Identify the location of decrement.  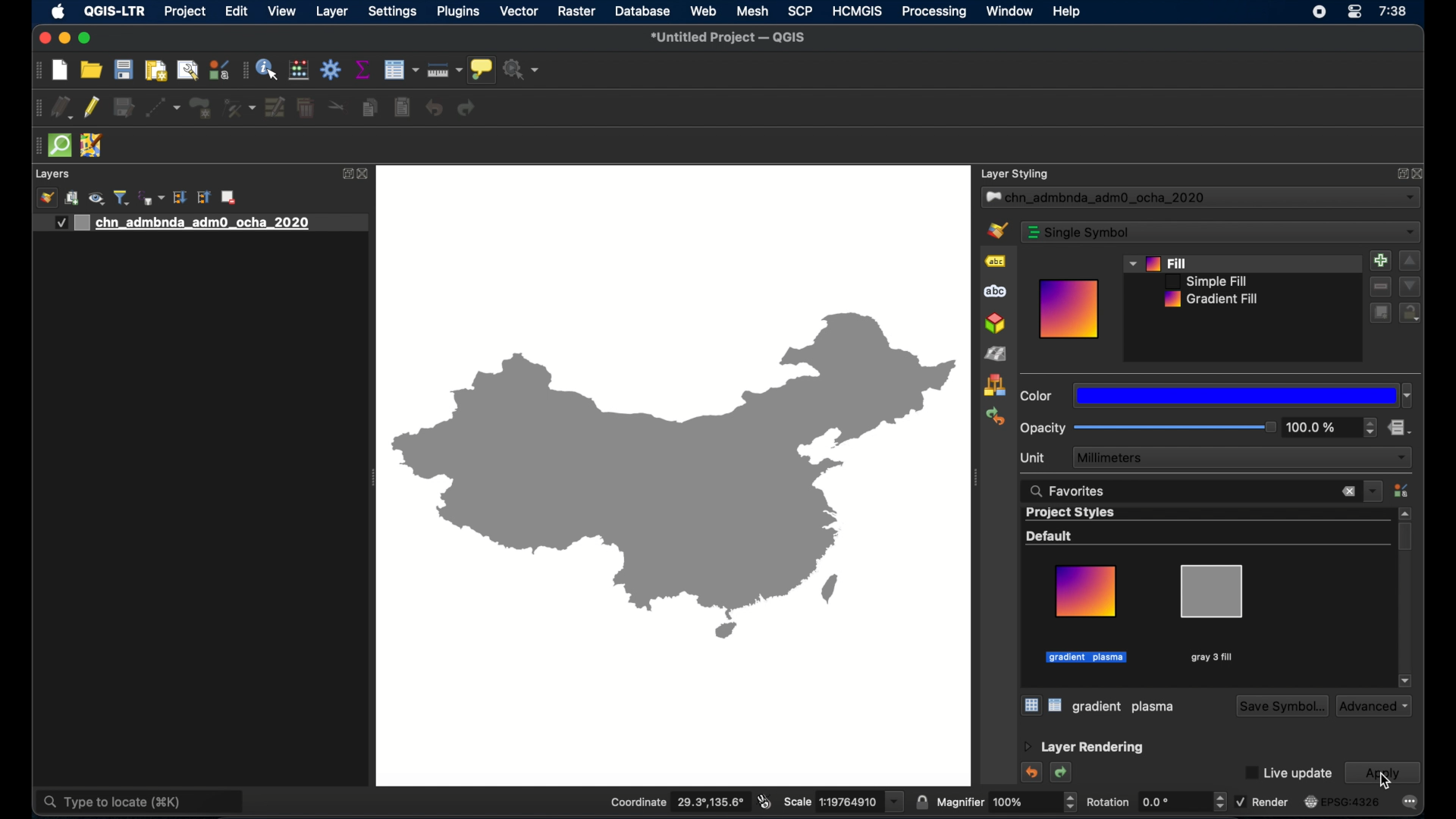
(1410, 287).